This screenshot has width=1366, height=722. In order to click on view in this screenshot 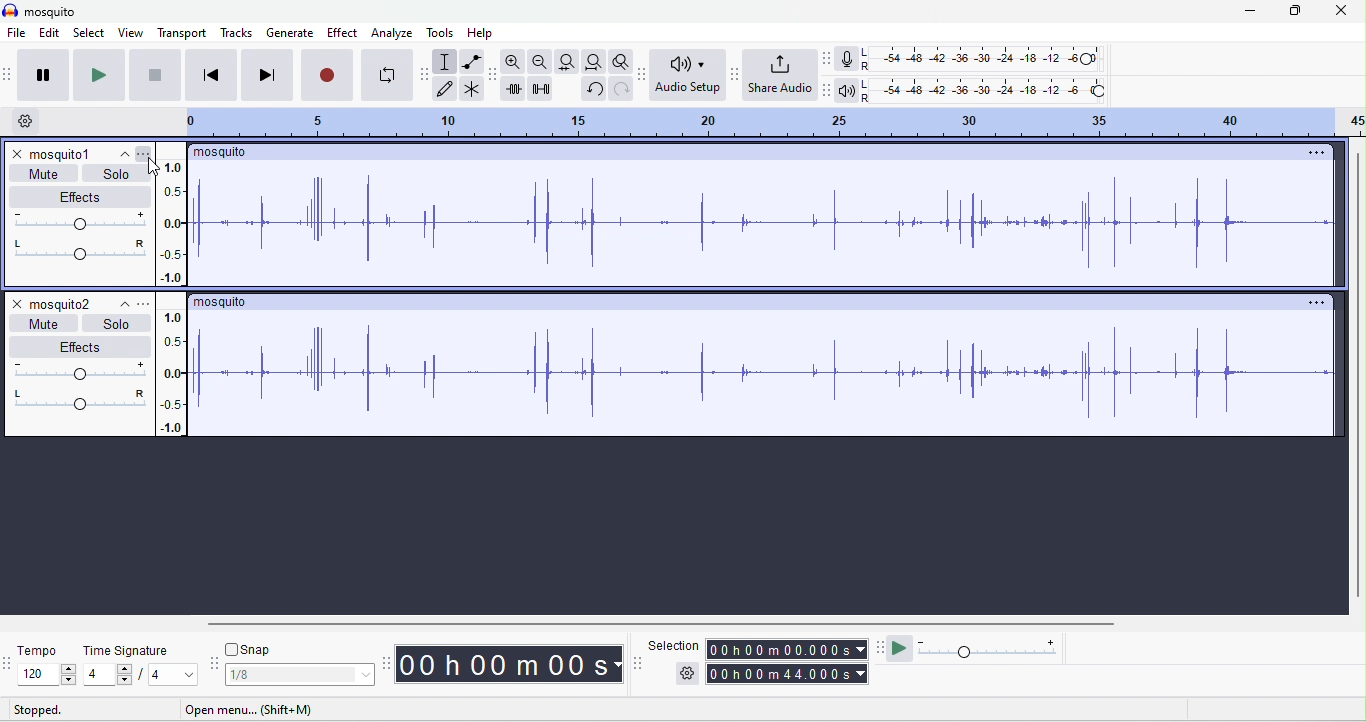, I will do `click(132, 34)`.